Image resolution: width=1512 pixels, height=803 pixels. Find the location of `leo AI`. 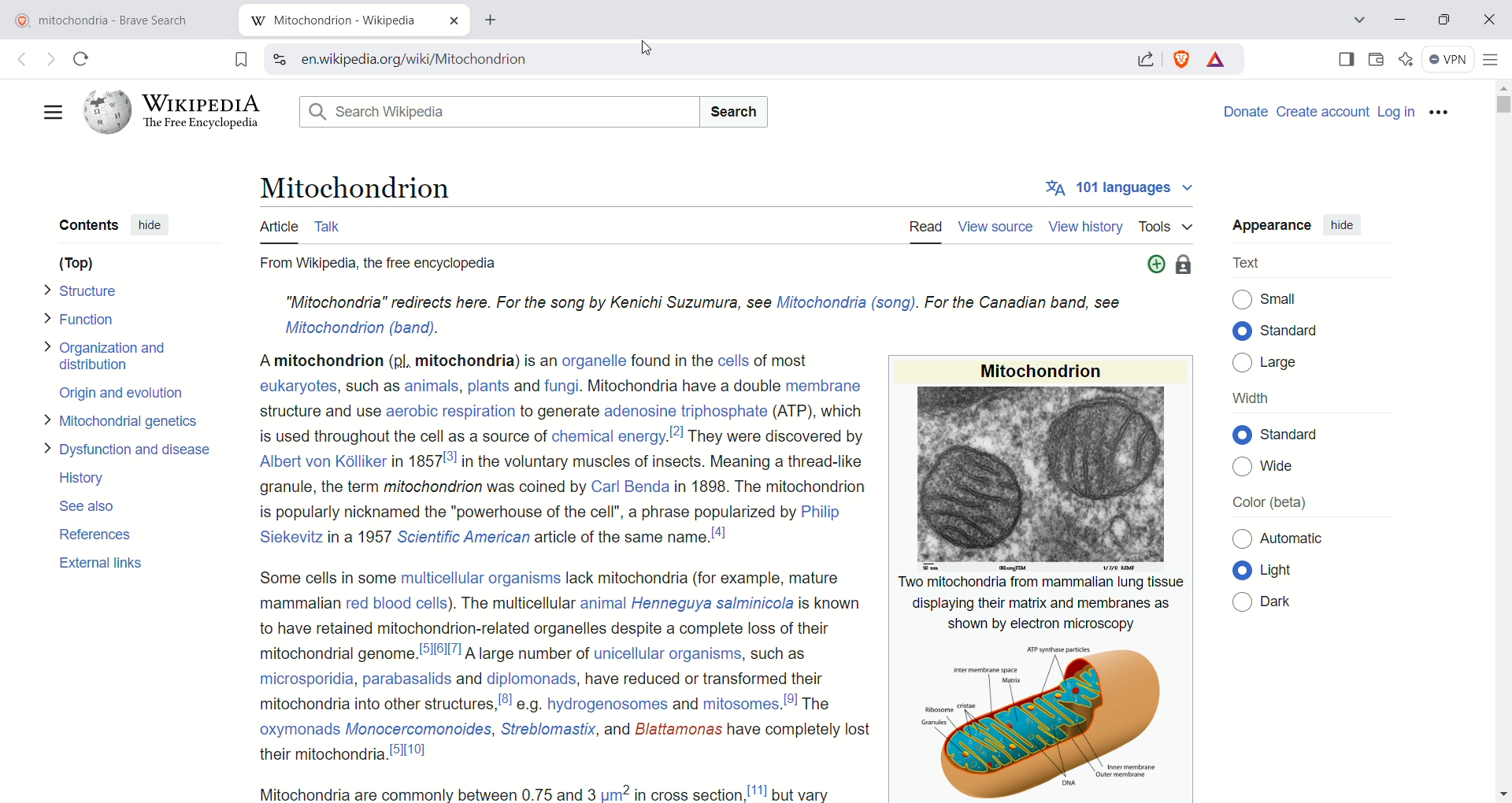

leo AI is located at coordinates (1405, 60).